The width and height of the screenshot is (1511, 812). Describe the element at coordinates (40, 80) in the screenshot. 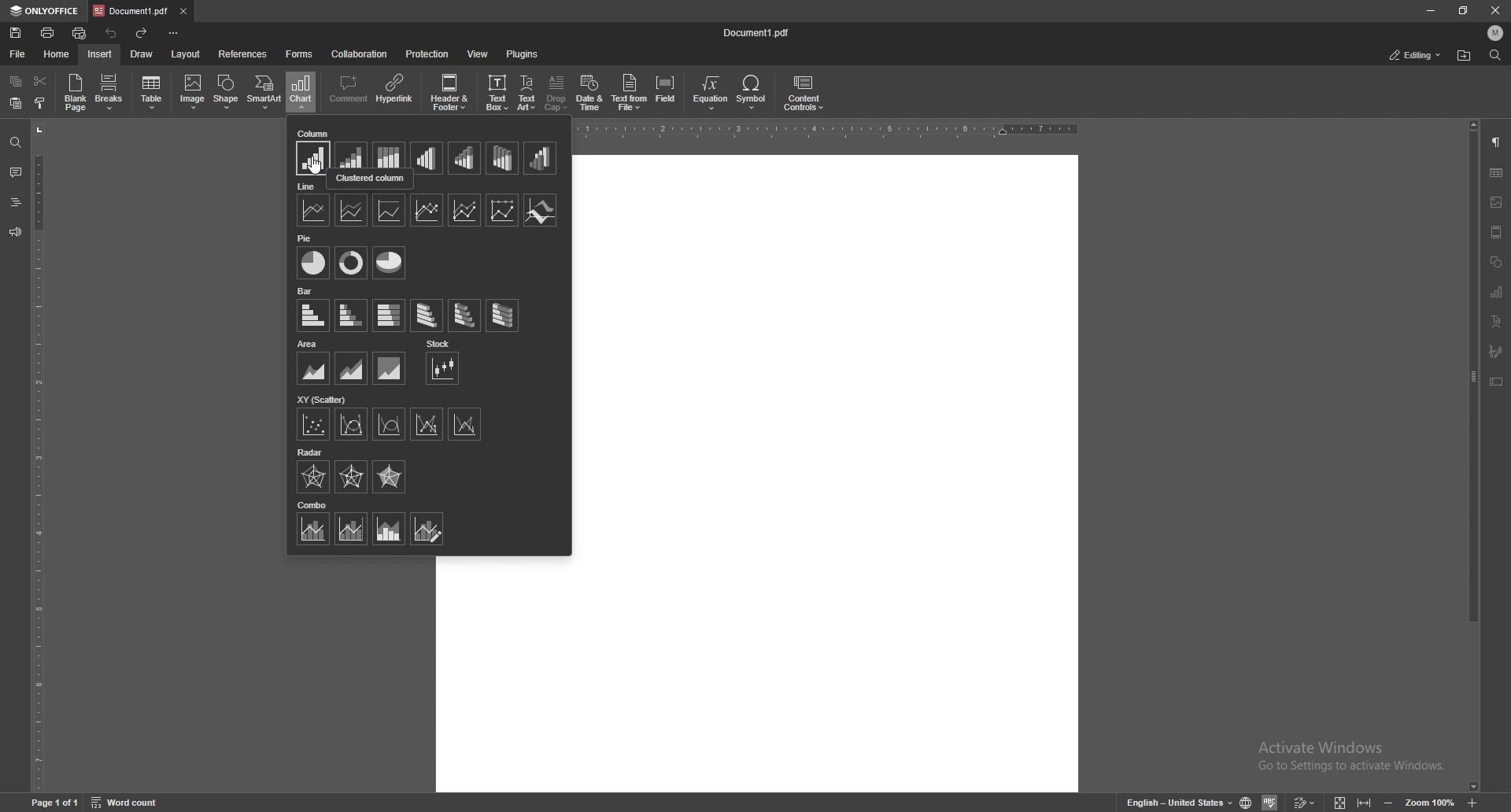

I see `cut` at that location.